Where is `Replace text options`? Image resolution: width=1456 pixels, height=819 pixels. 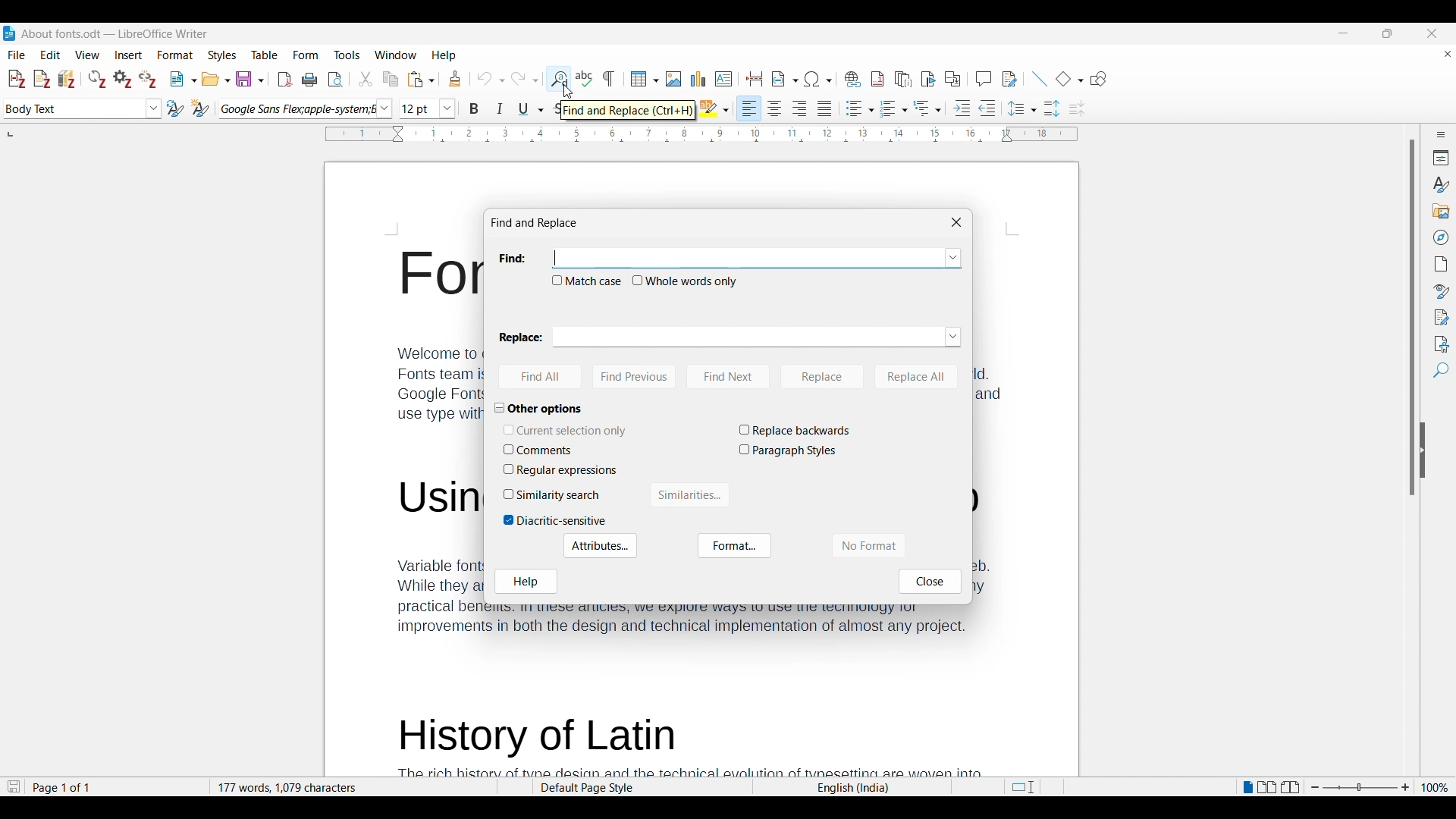
Replace text options is located at coordinates (952, 337).